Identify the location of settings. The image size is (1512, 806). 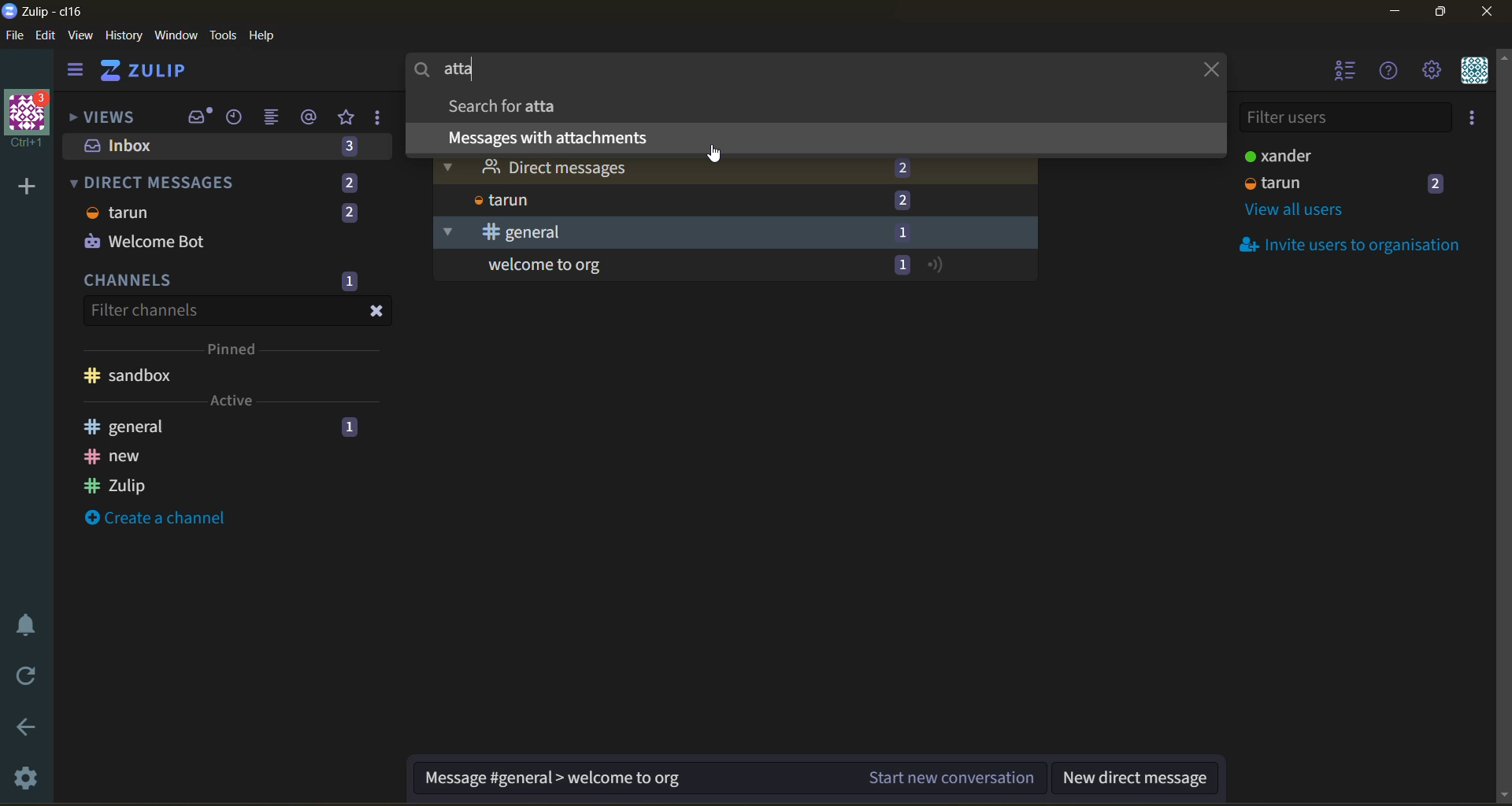
(31, 775).